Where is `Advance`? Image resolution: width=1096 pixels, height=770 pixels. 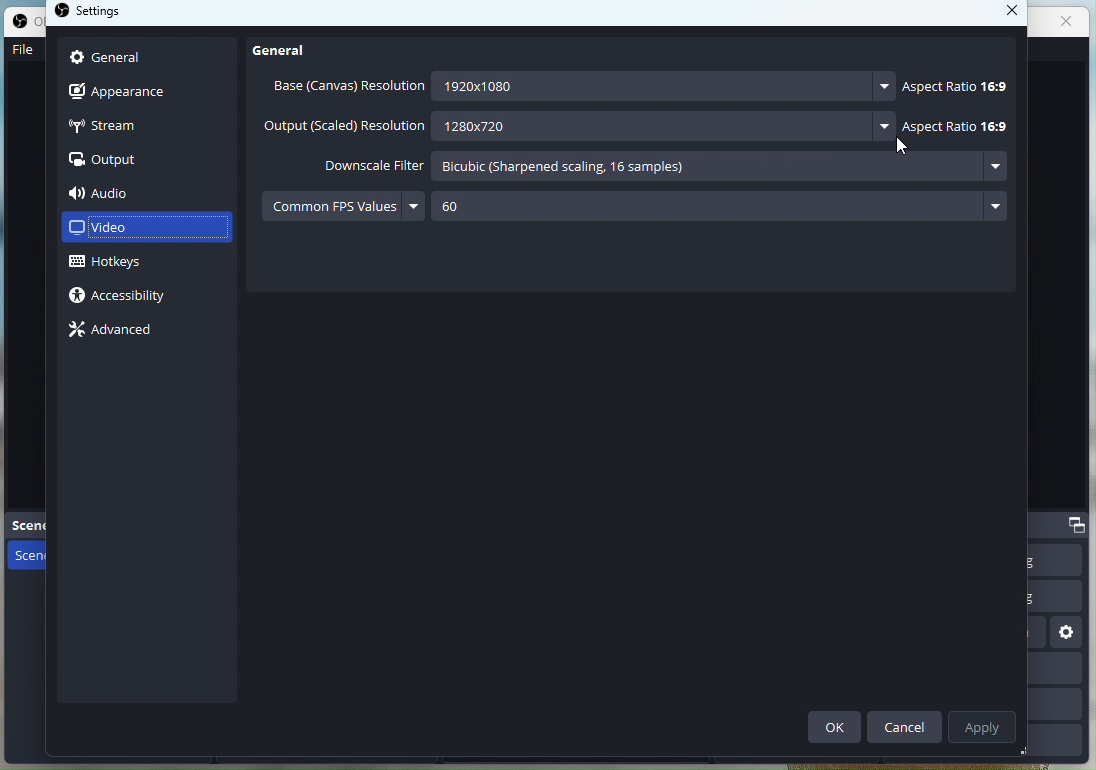
Advance is located at coordinates (116, 327).